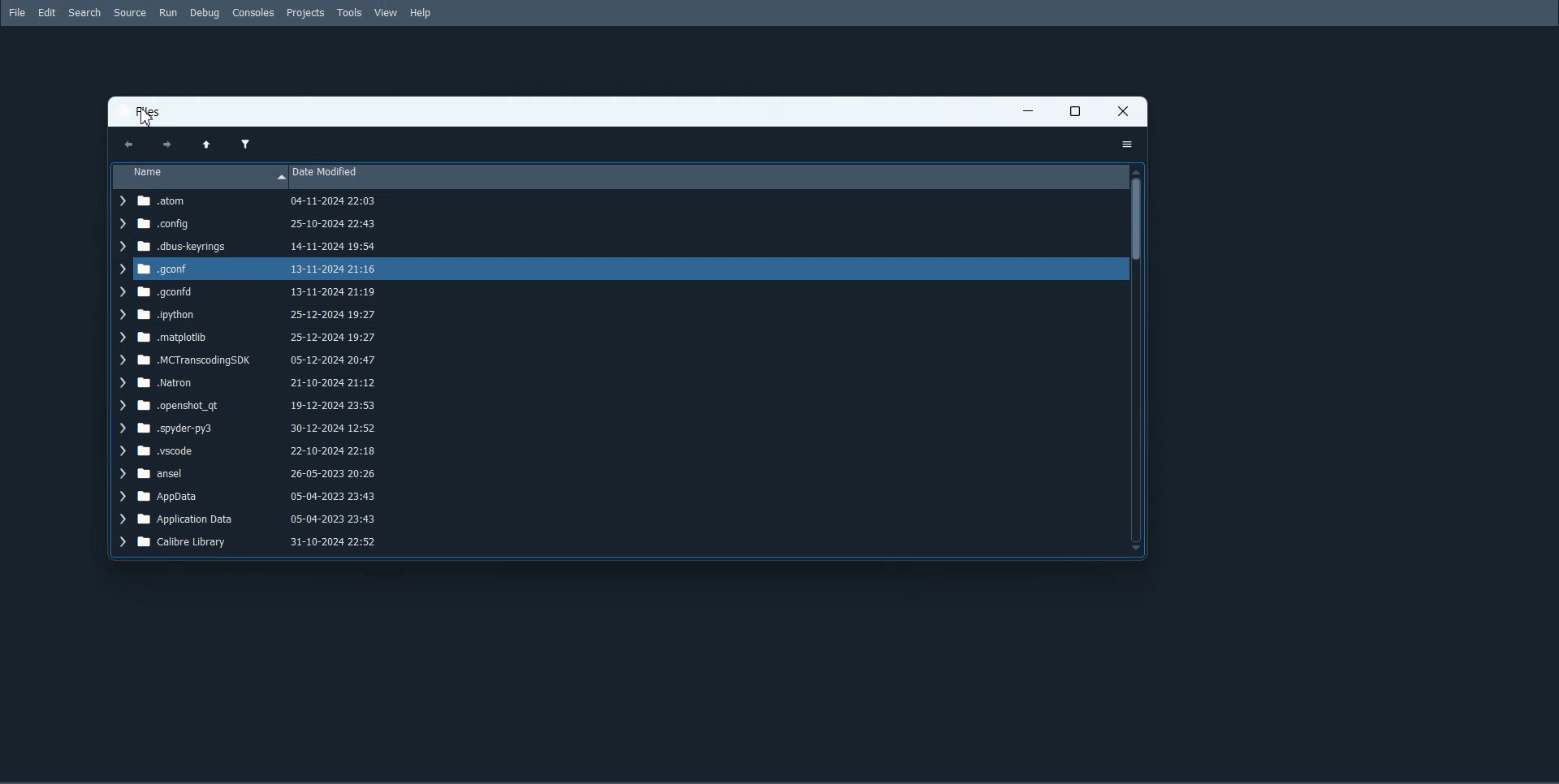 The image size is (1559, 784). What do you see at coordinates (246, 383) in the screenshot?
I see `Natron 21-10-2024 21:12` at bounding box center [246, 383].